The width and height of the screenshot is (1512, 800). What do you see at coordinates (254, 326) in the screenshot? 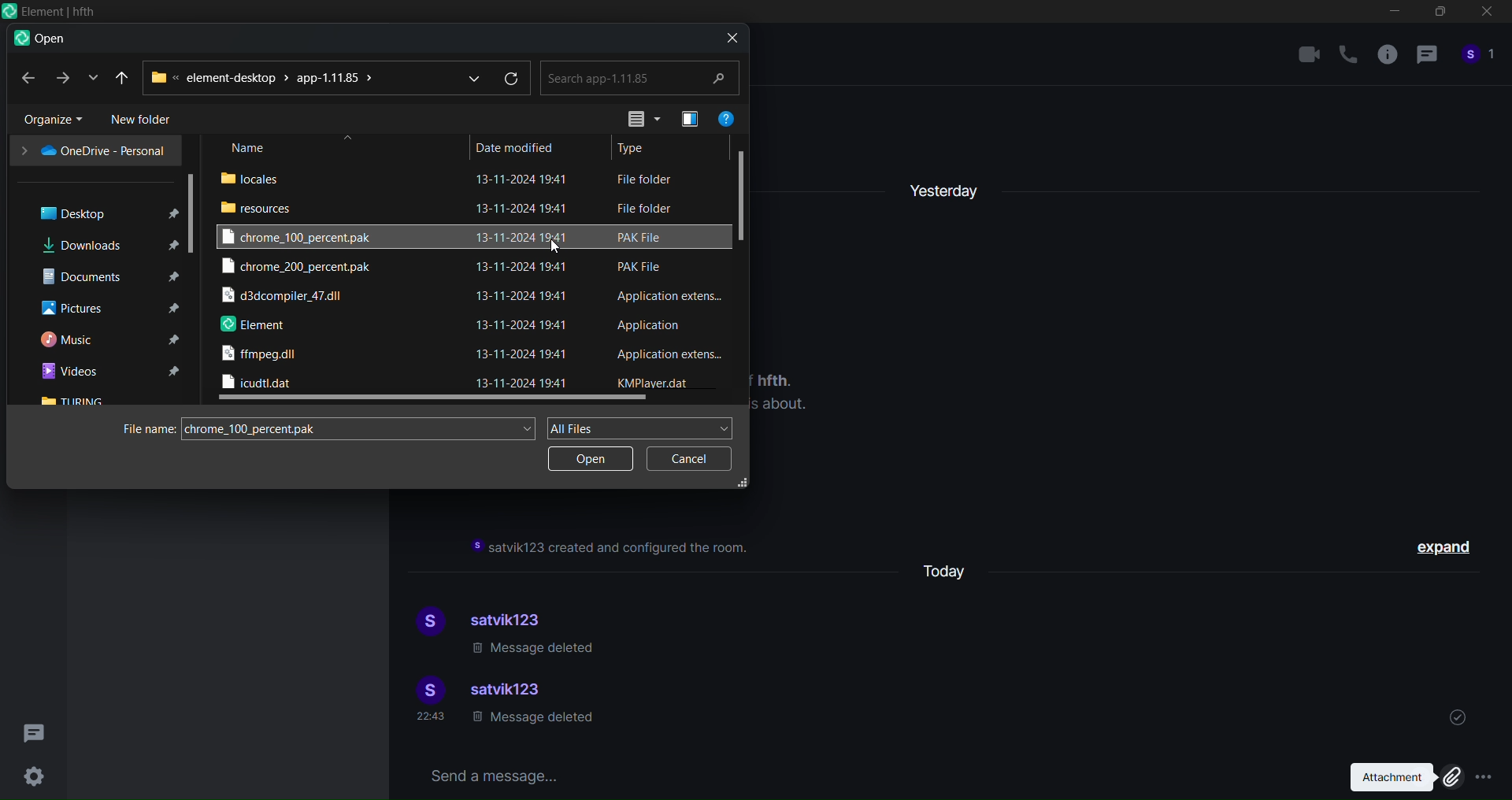
I see `element` at bounding box center [254, 326].